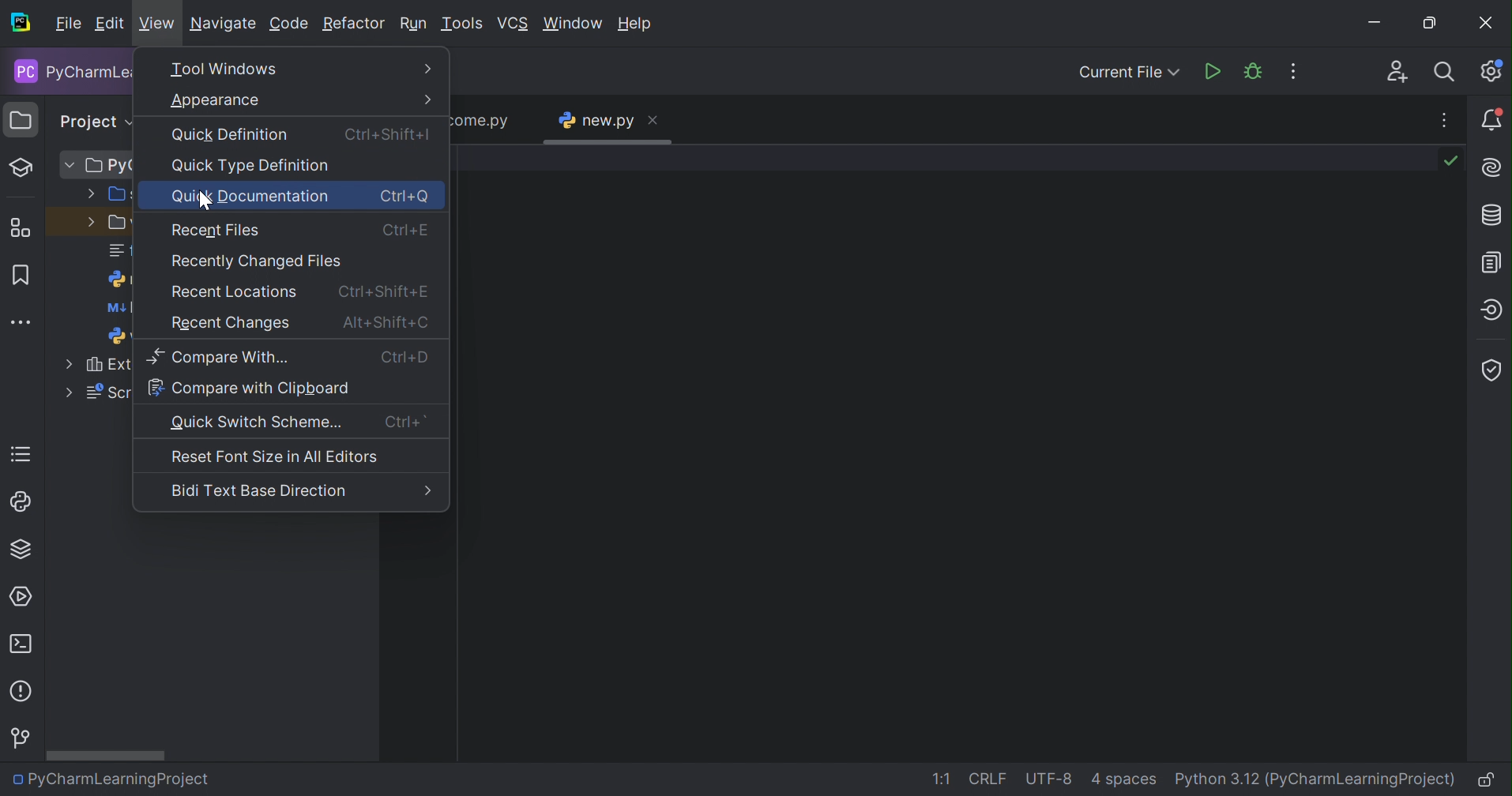 The height and width of the screenshot is (796, 1512). What do you see at coordinates (109, 24) in the screenshot?
I see `Edit` at bounding box center [109, 24].